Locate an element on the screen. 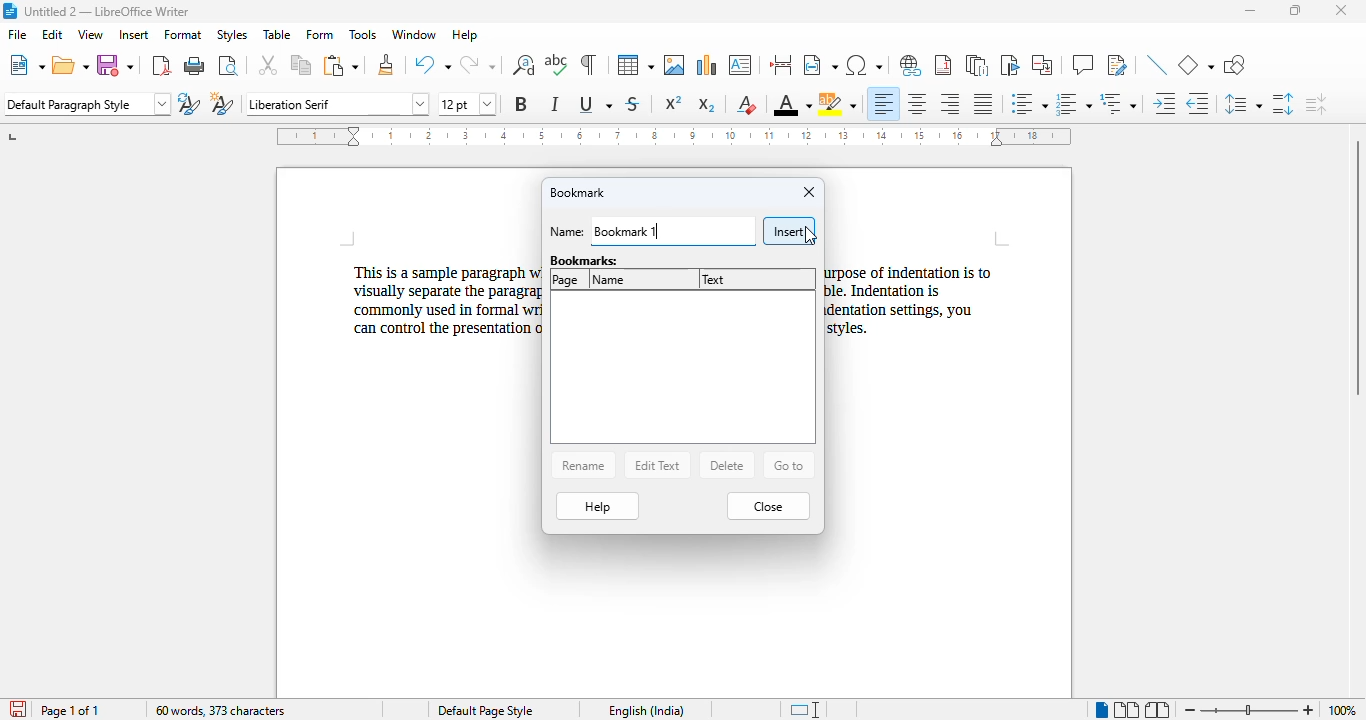 The height and width of the screenshot is (720, 1366). insert is located at coordinates (133, 33).